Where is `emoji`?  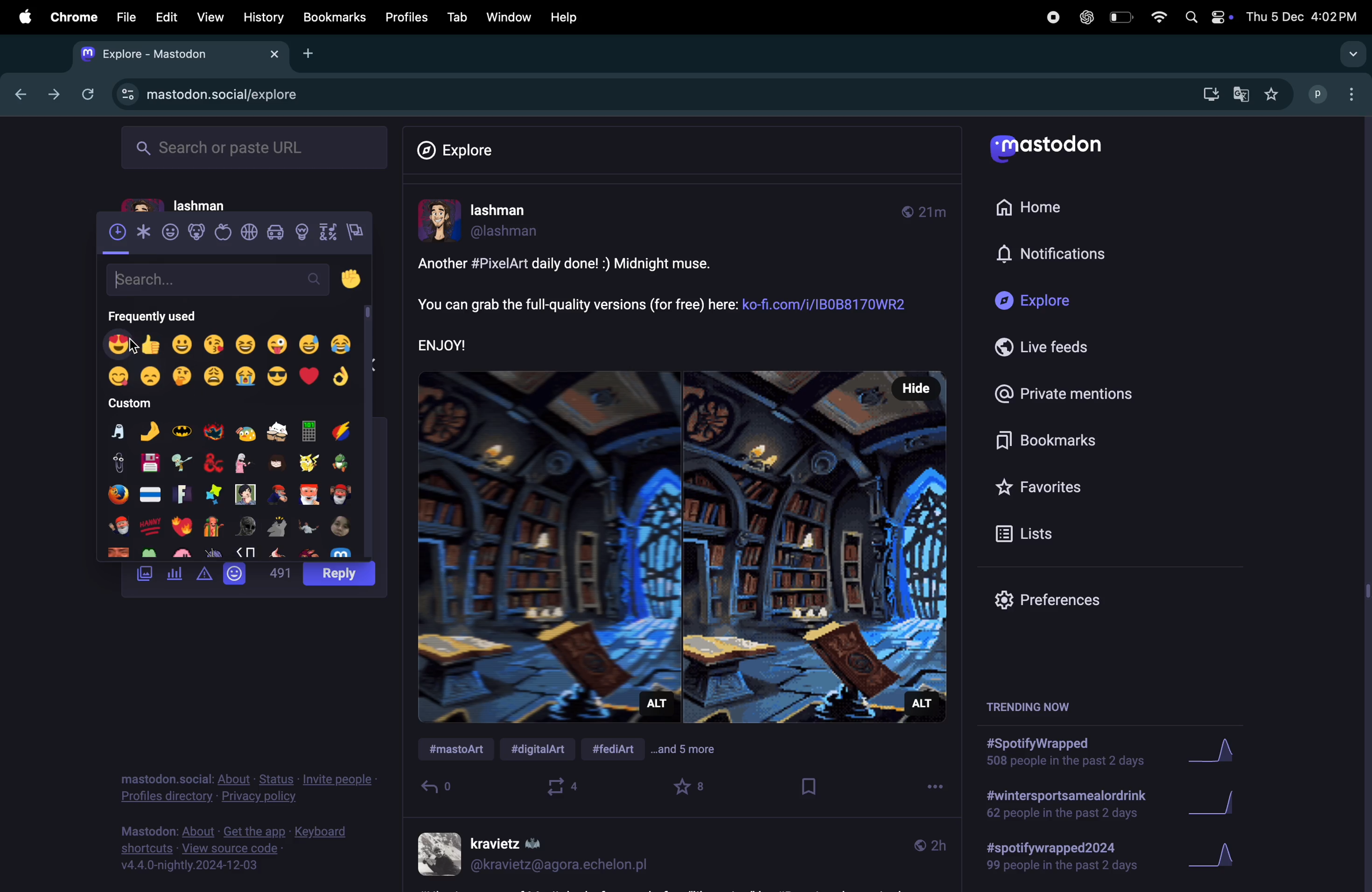 emoji is located at coordinates (239, 575).